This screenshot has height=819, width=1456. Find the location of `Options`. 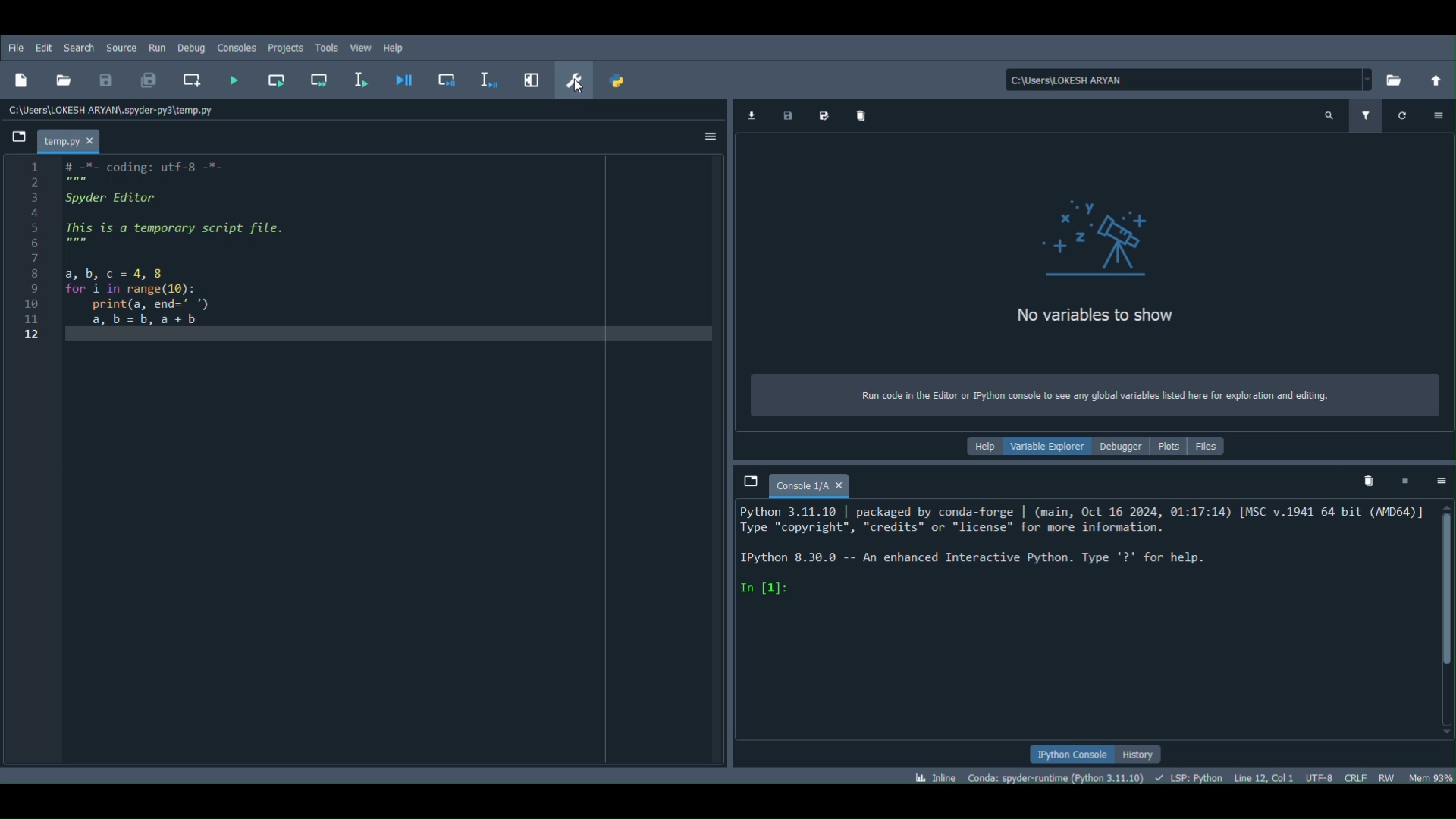

Options is located at coordinates (711, 136).